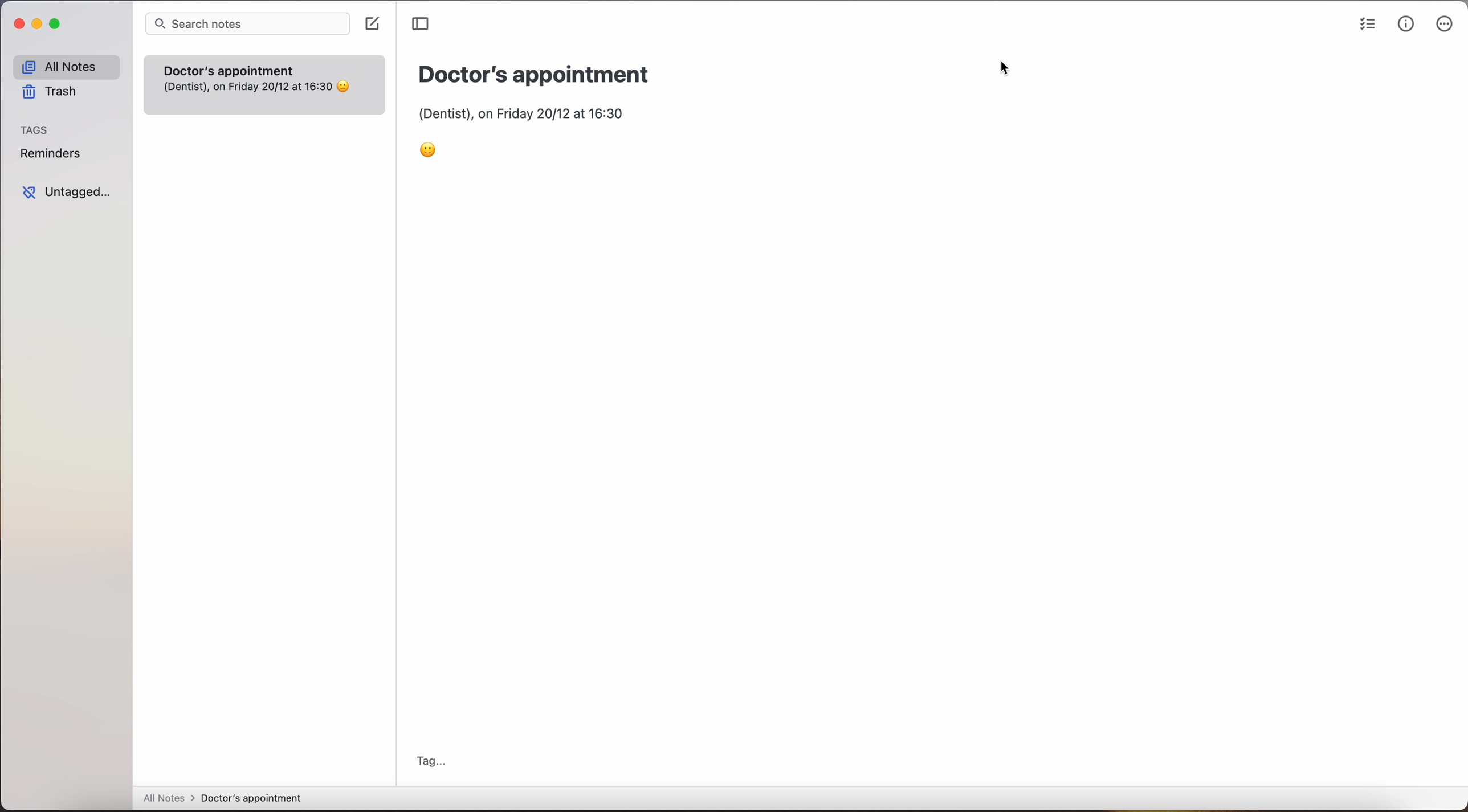  I want to click on more options, so click(1444, 24).